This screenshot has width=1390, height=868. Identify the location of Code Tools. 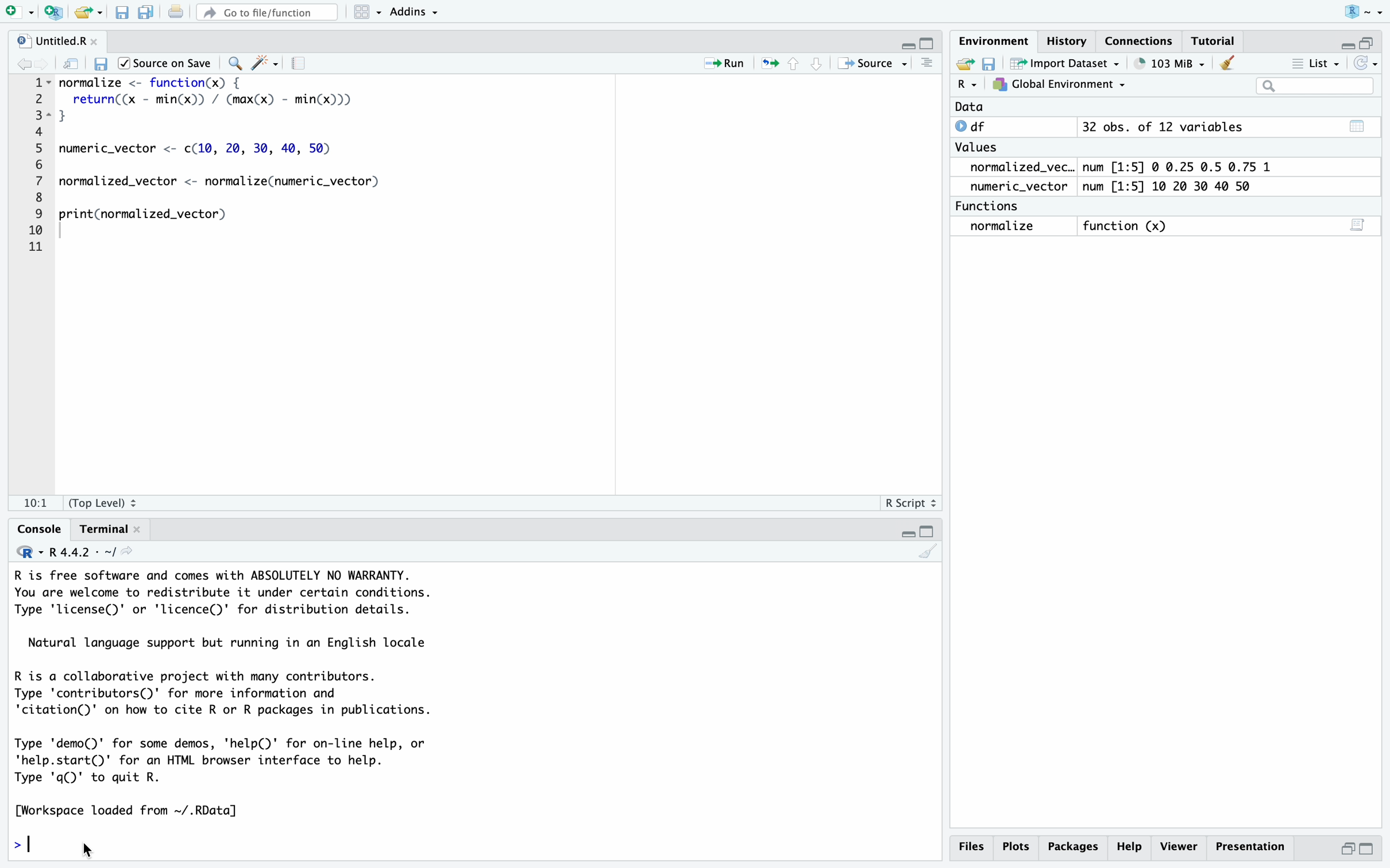
(268, 62).